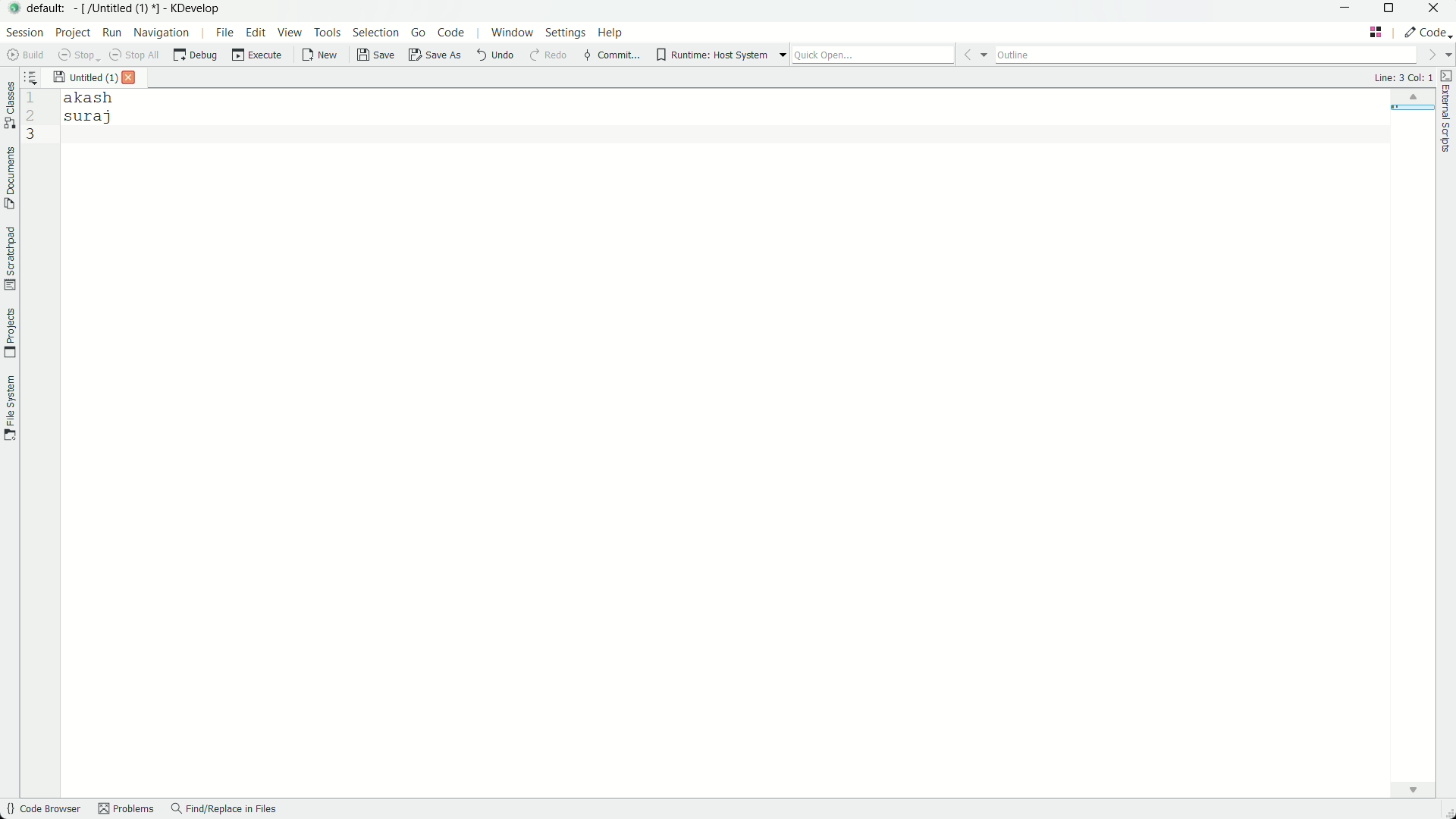 Image resolution: width=1456 pixels, height=819 pixels. Describe the element at coordinates (9, 259) in the screenshot. I see `scratchpad` at that location.